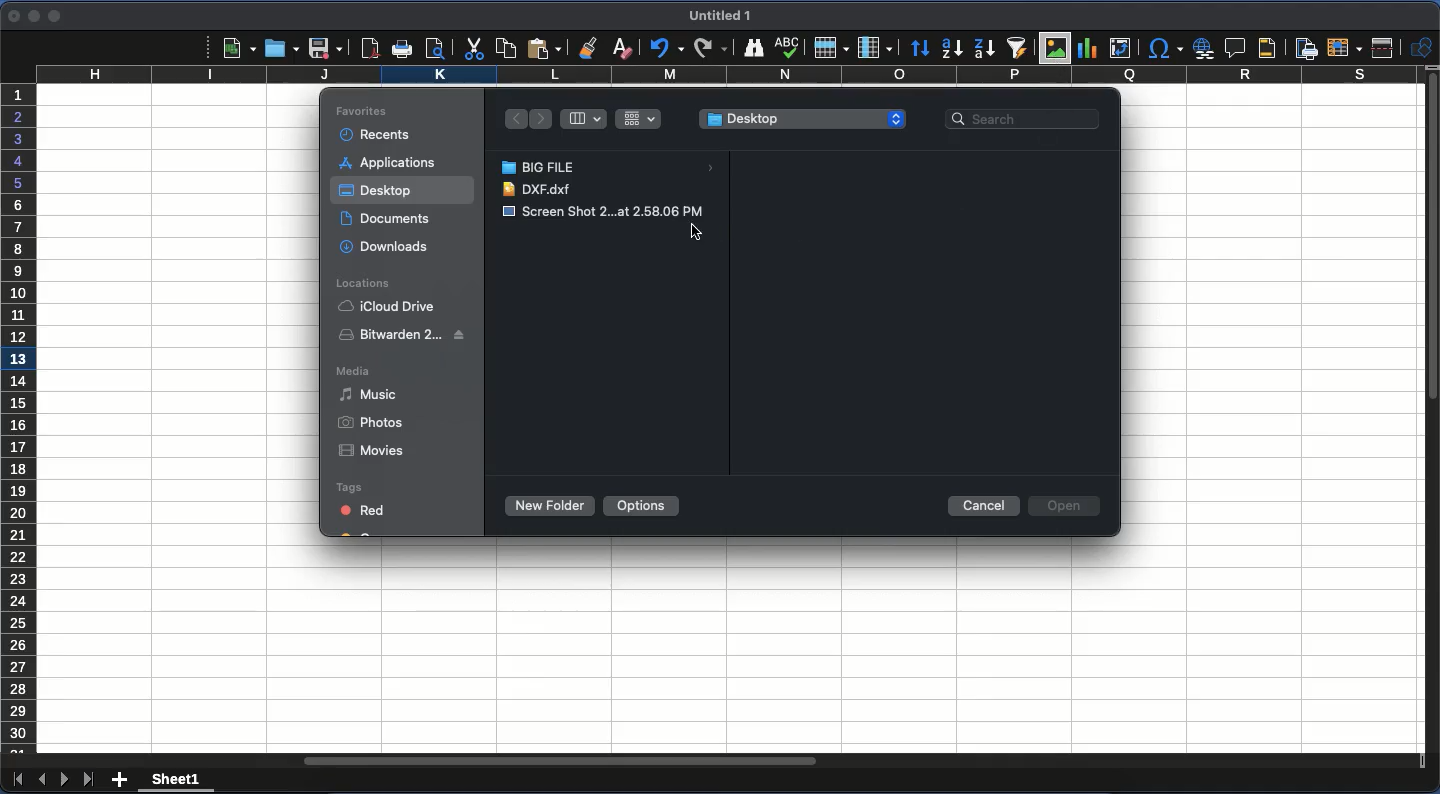 This screenshot has width=1440, height=794. I want to click on desktop, so click(801, 119).